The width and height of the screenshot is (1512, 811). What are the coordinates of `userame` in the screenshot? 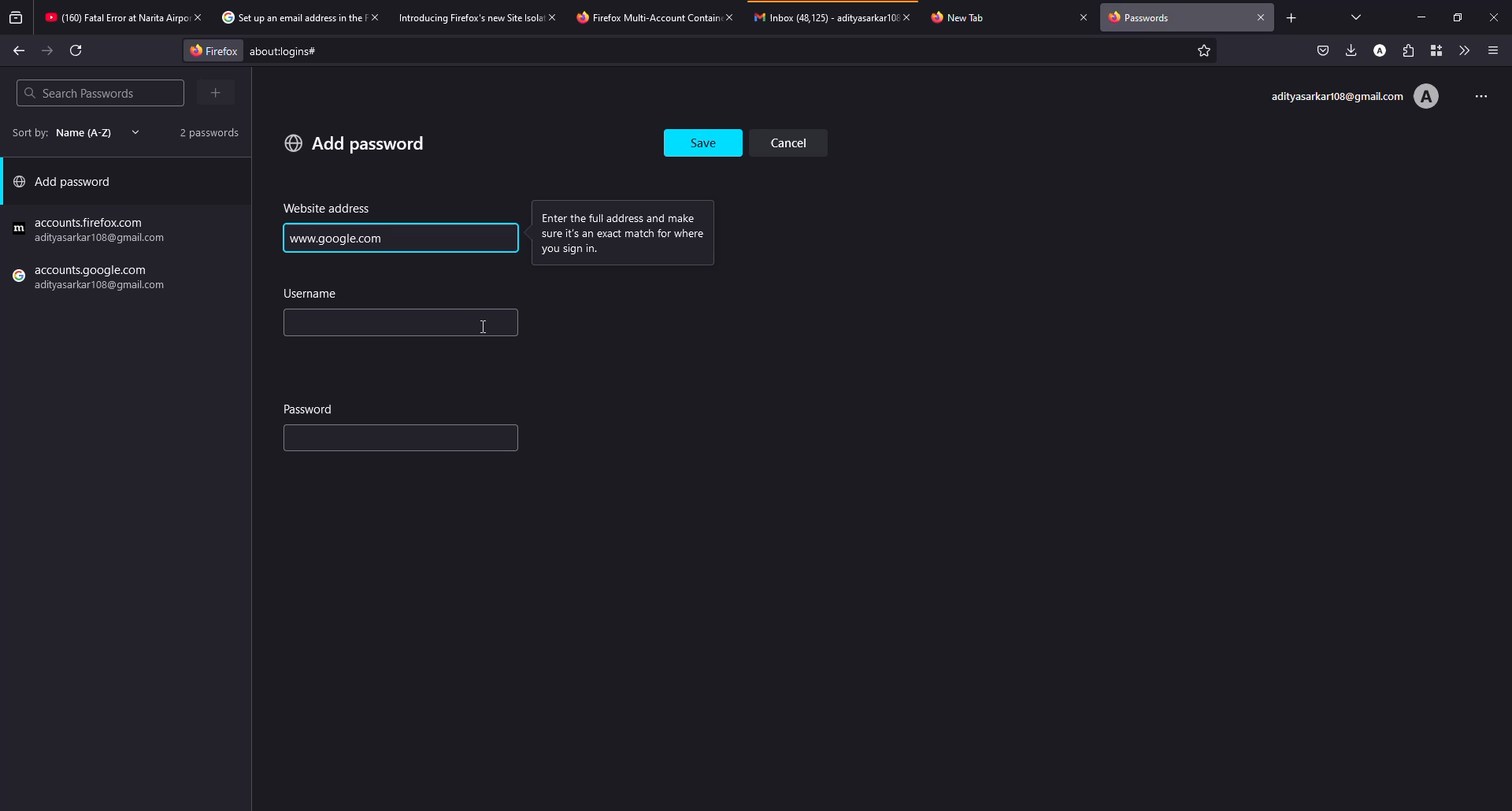 It's located at (315, 294).